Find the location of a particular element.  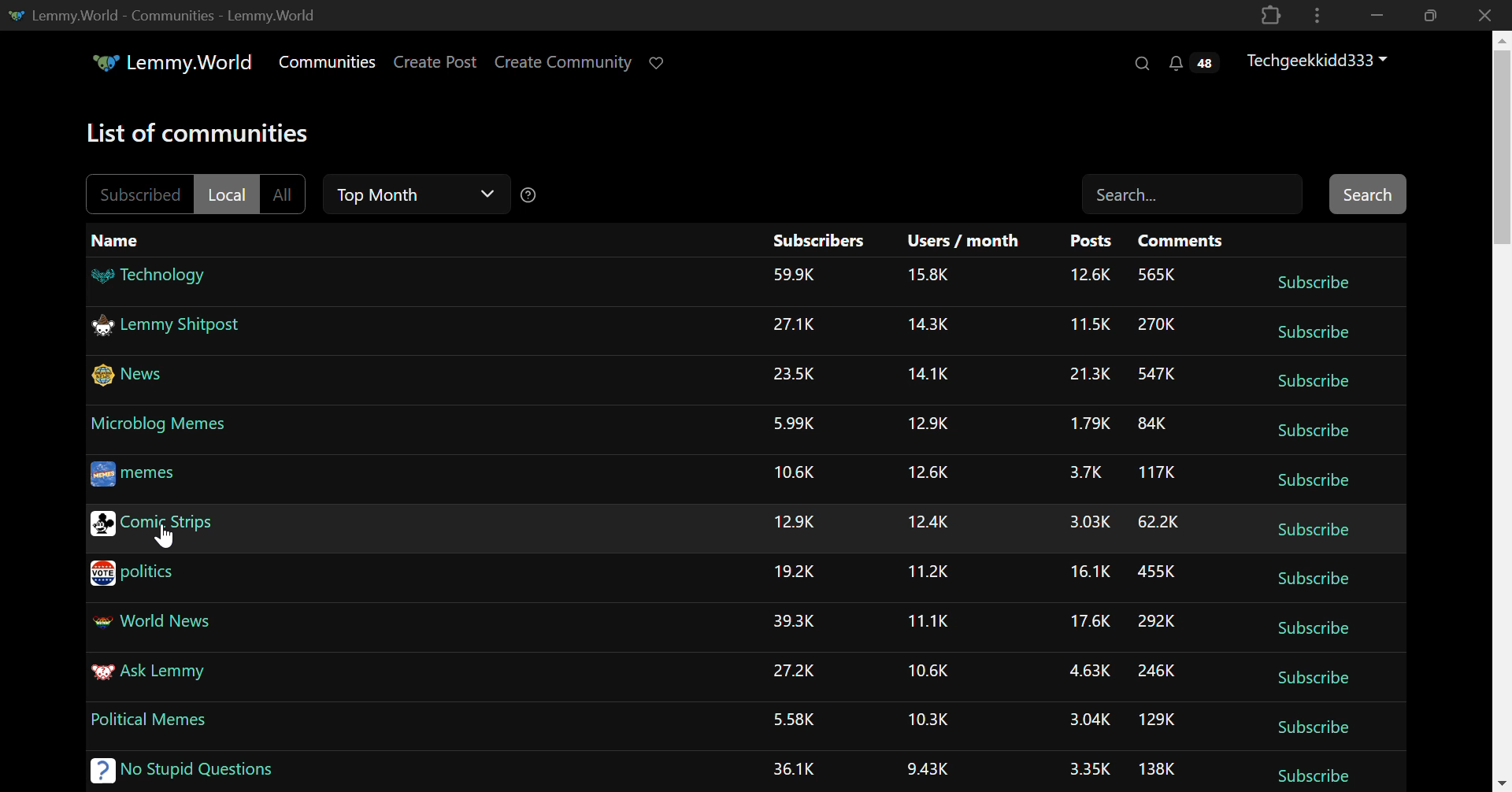

547K is located at coordinates (1156, 375).